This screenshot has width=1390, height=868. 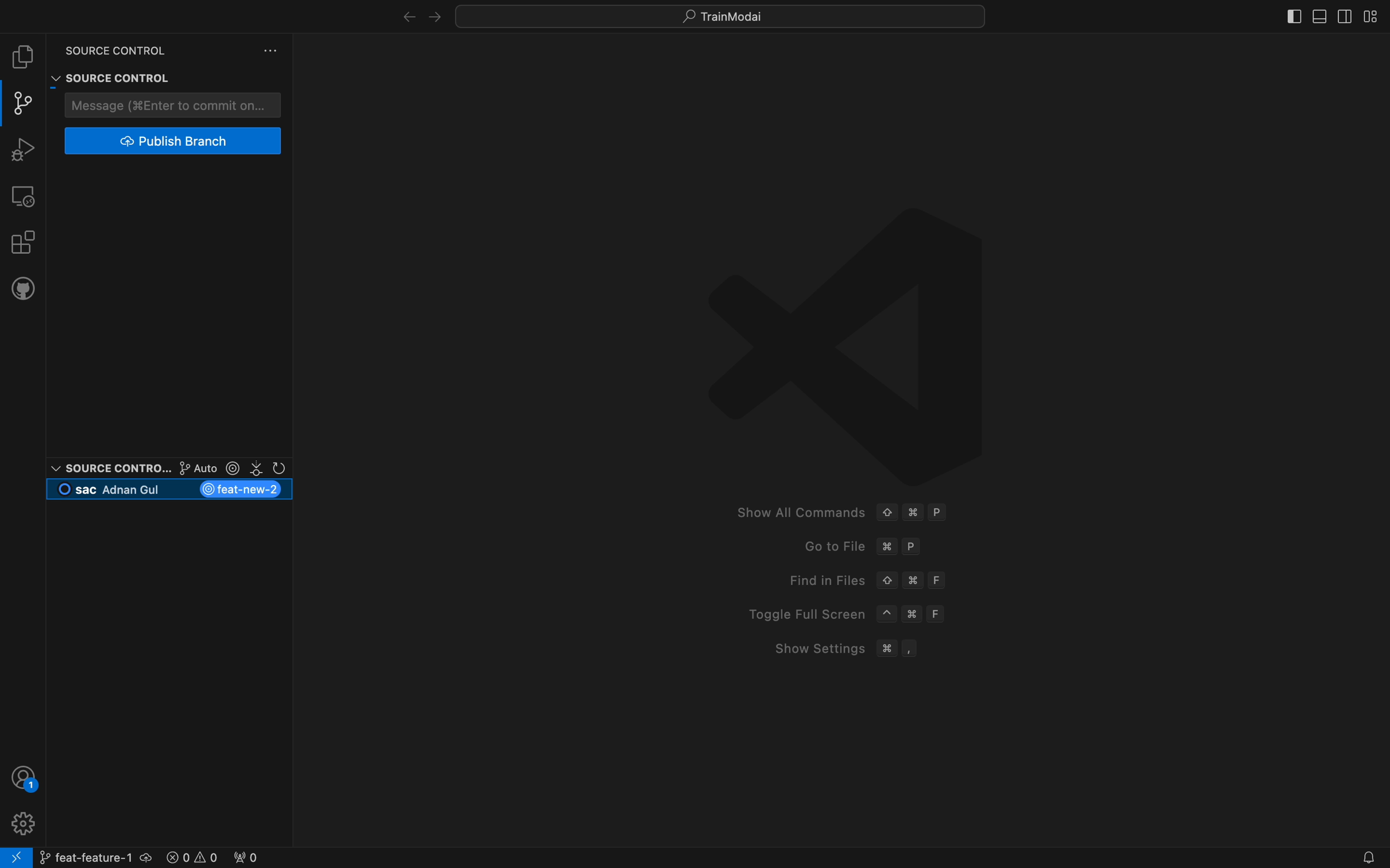 What do you see at coordinates (799, 614) in the screenshot?
I see `Toggle Full Screen` at bounding box center [799, 614].